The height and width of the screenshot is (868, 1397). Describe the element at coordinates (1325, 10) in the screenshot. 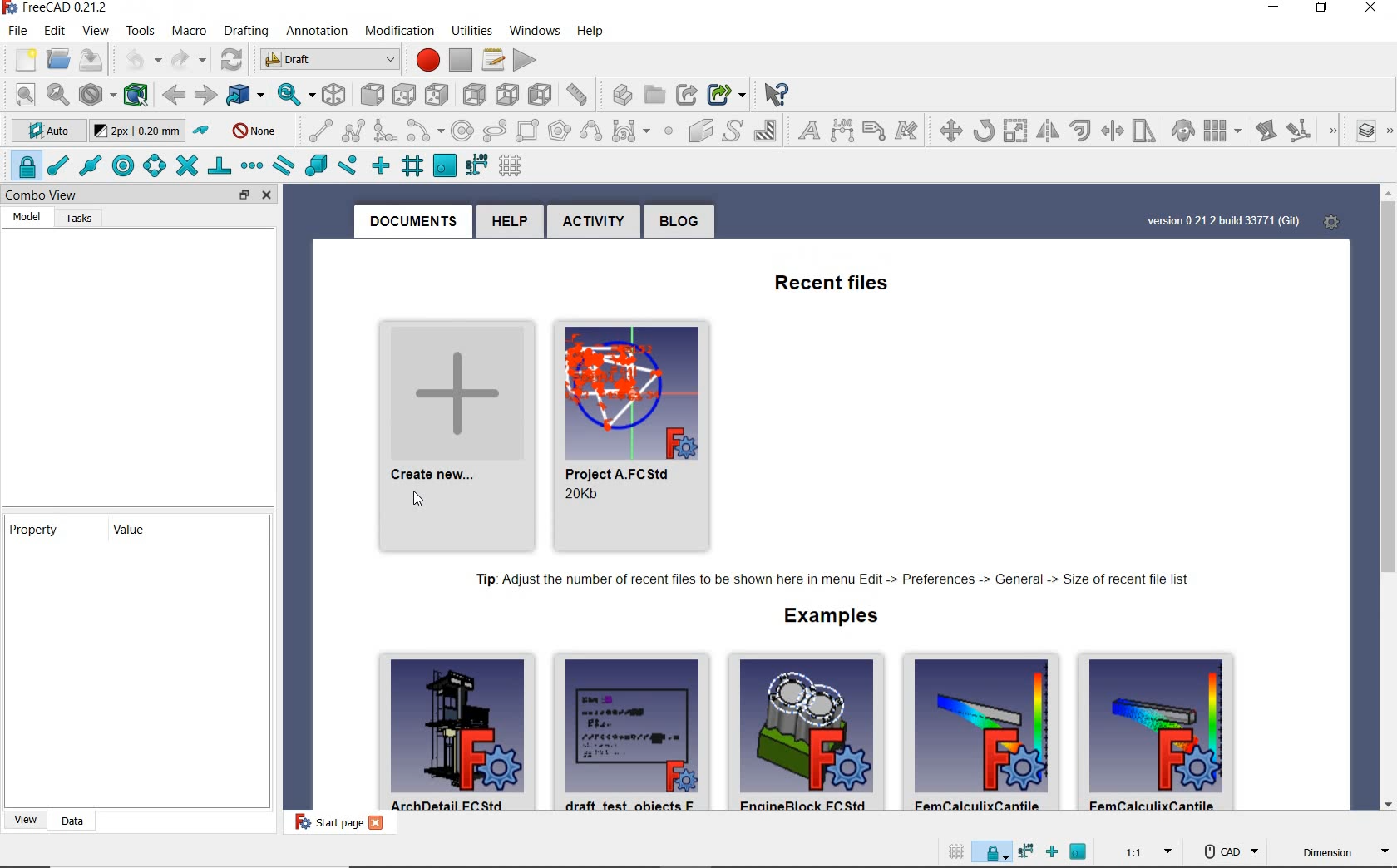

I see `restore down` at that location.